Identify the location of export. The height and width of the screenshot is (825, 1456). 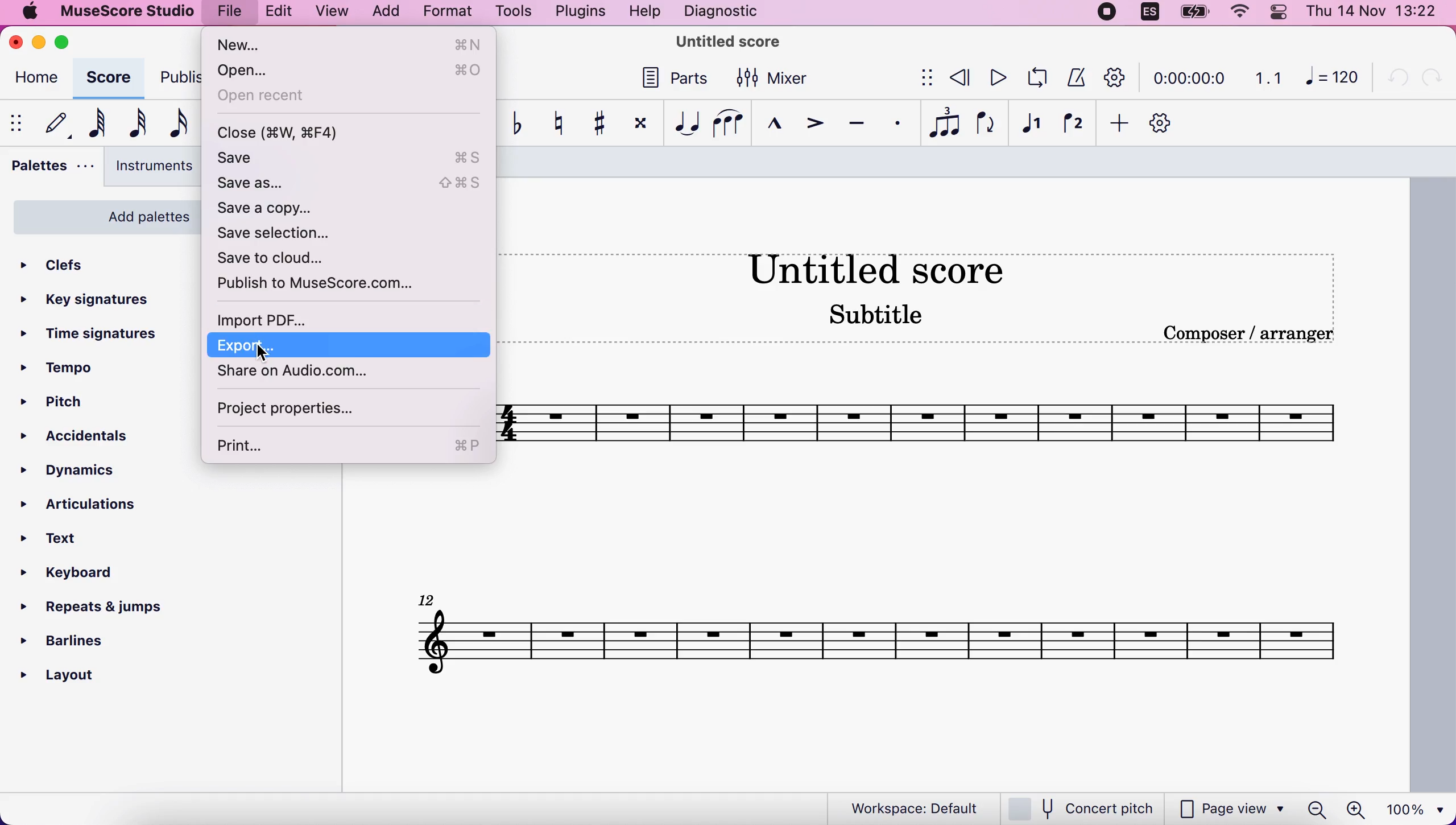
(350, 346).